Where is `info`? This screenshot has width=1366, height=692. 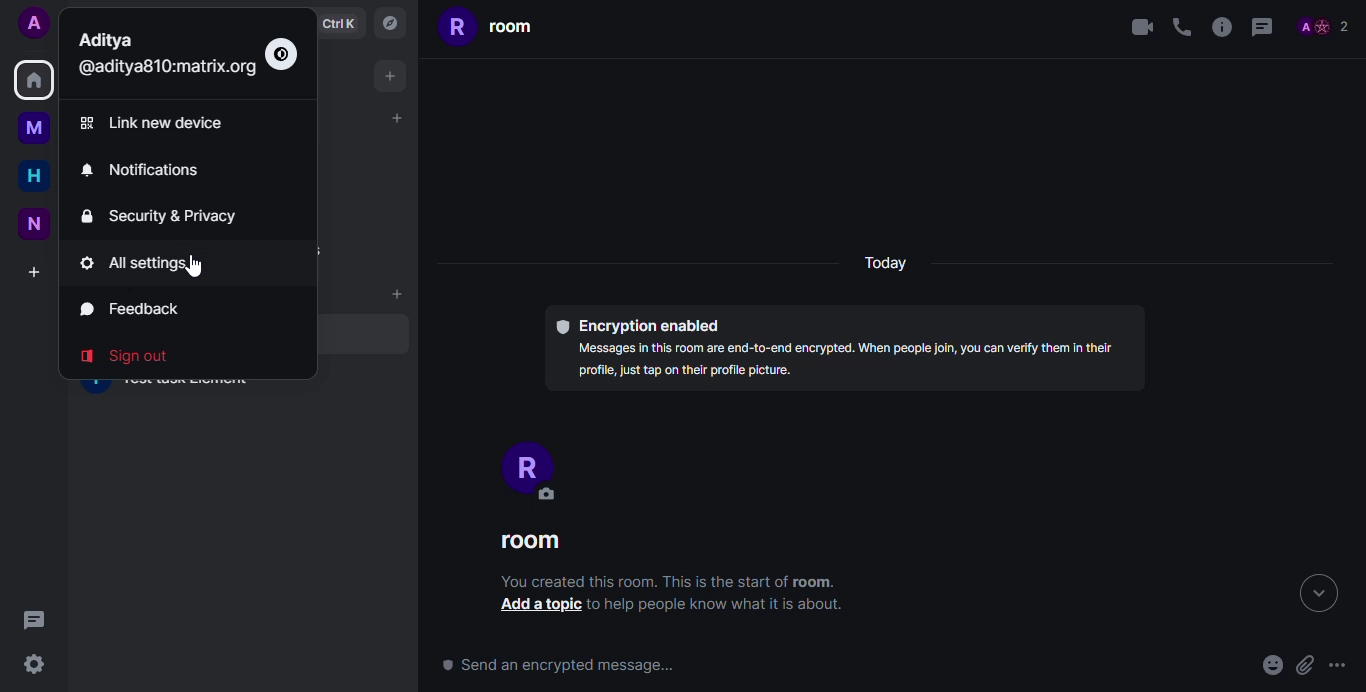
info is located at coordinates (1221, 28).